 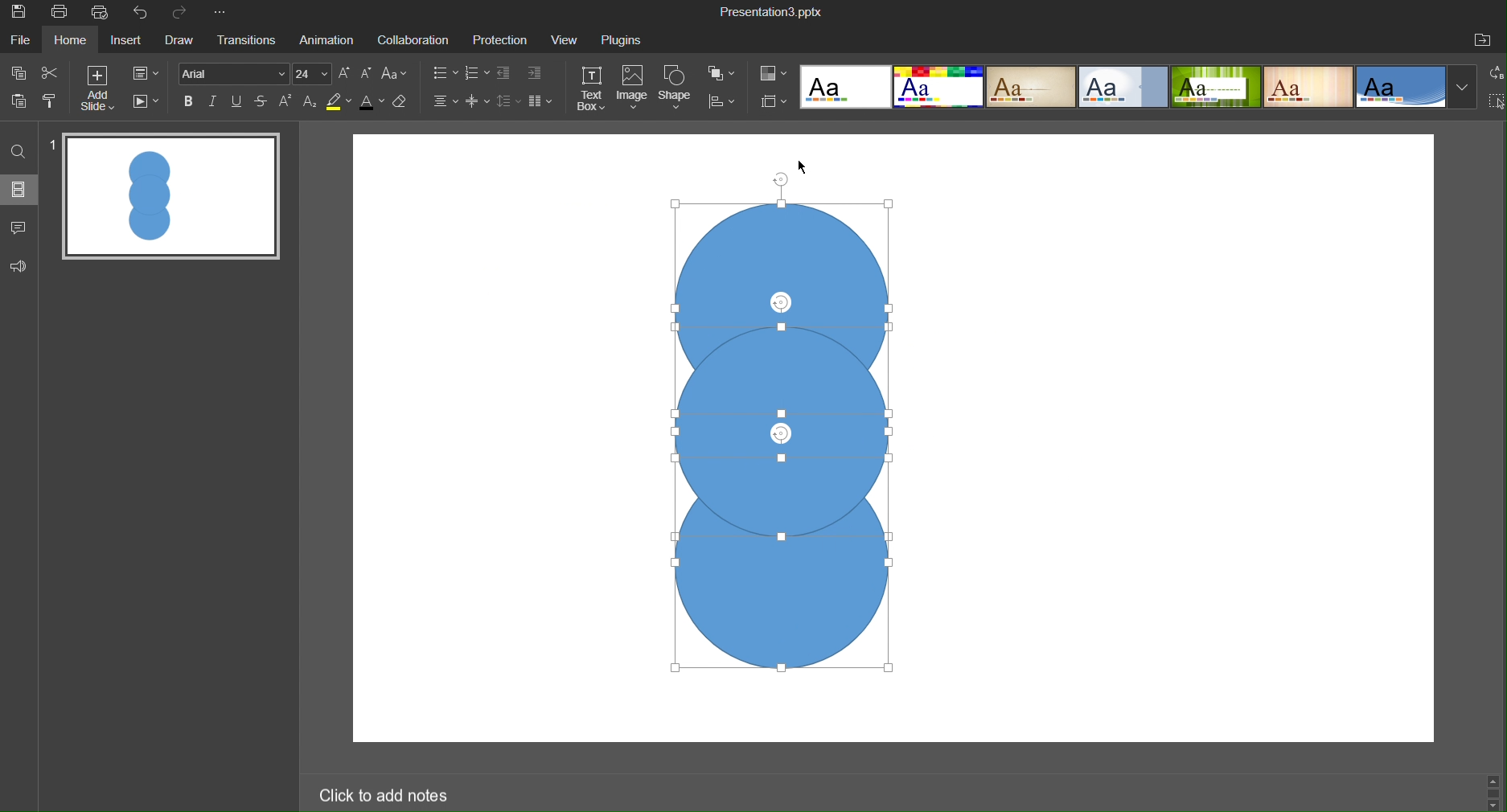 What do you see at coordinates (105, 92) in the screenshot?
I see `Add Slide` at bounding box center [105, 92].